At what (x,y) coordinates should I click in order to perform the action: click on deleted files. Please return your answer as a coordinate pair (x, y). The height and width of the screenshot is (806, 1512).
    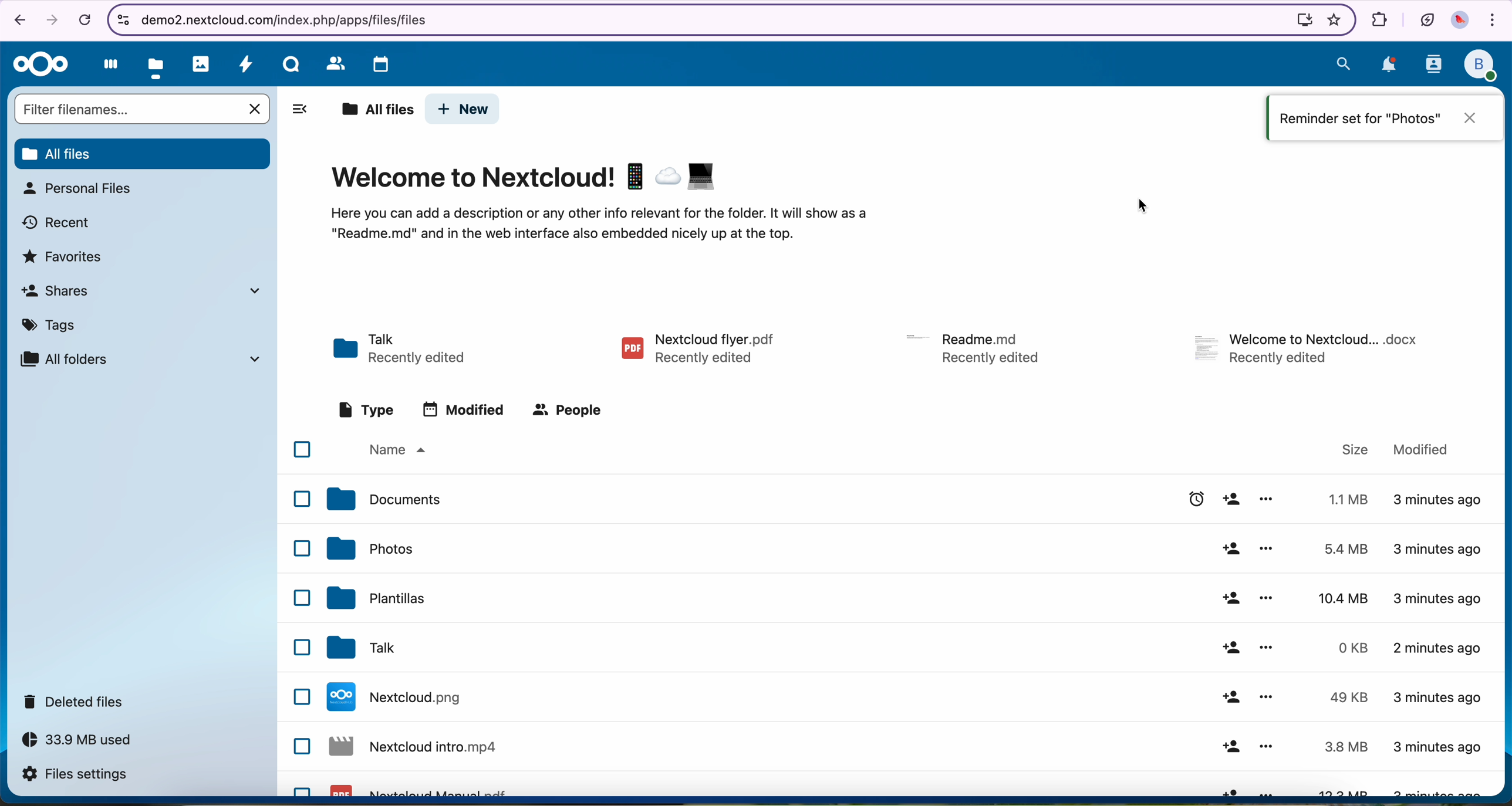
    Looking at the image, I should click on (76, 702).